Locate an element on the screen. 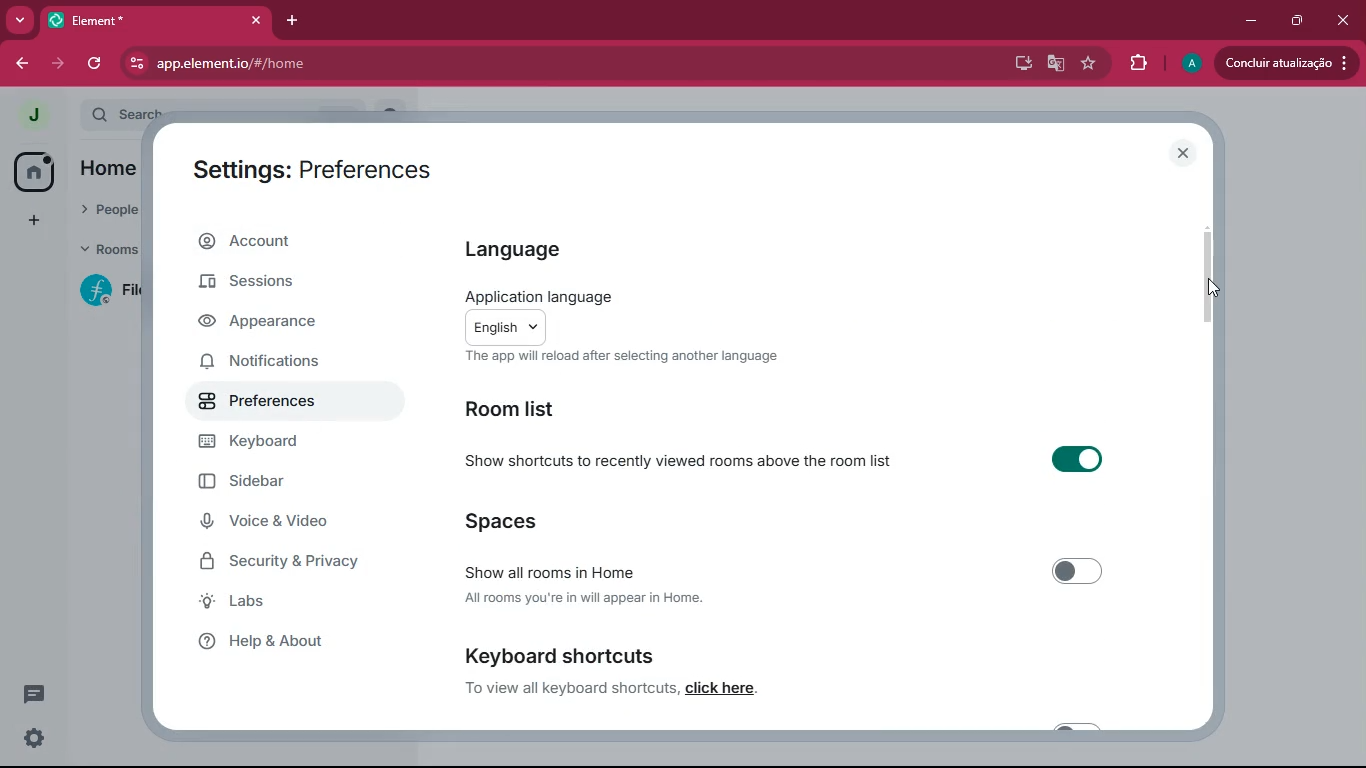 The width and height of the screenshot is (1366, 768). voice & video is located at coordinates (283, 525).